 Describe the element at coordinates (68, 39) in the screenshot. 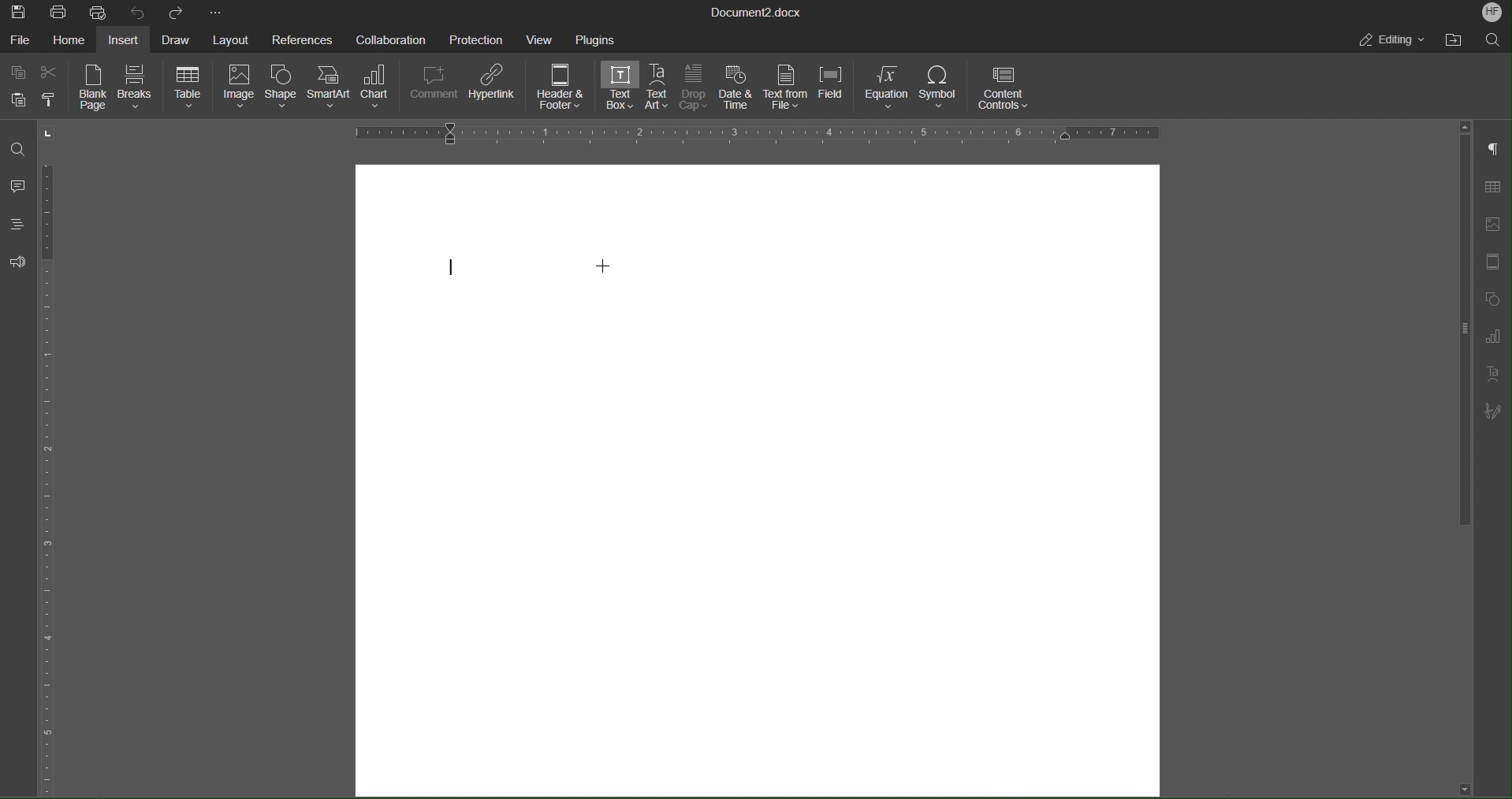

I see `Home` at that location.